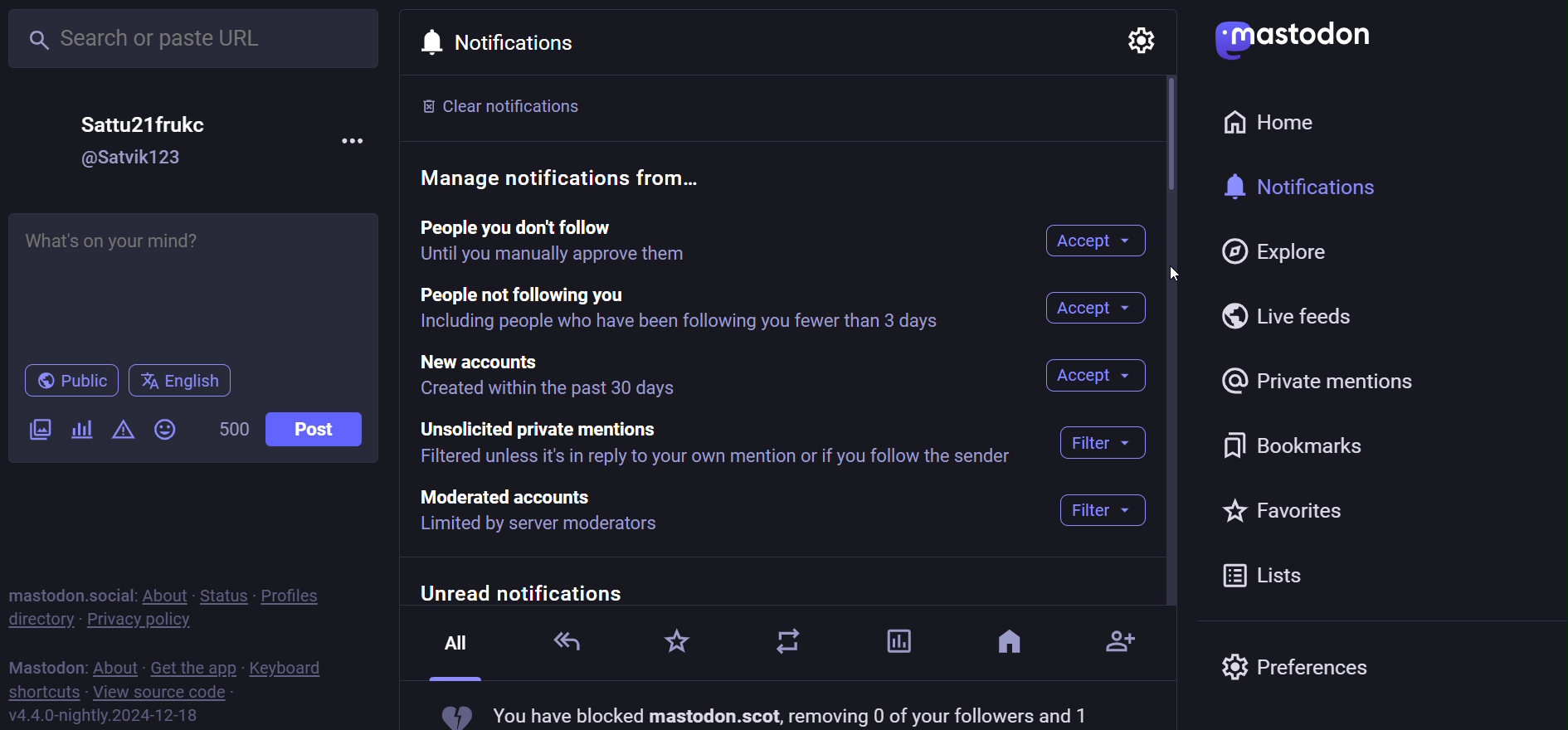  I want to click on poll, so click(80, 431).